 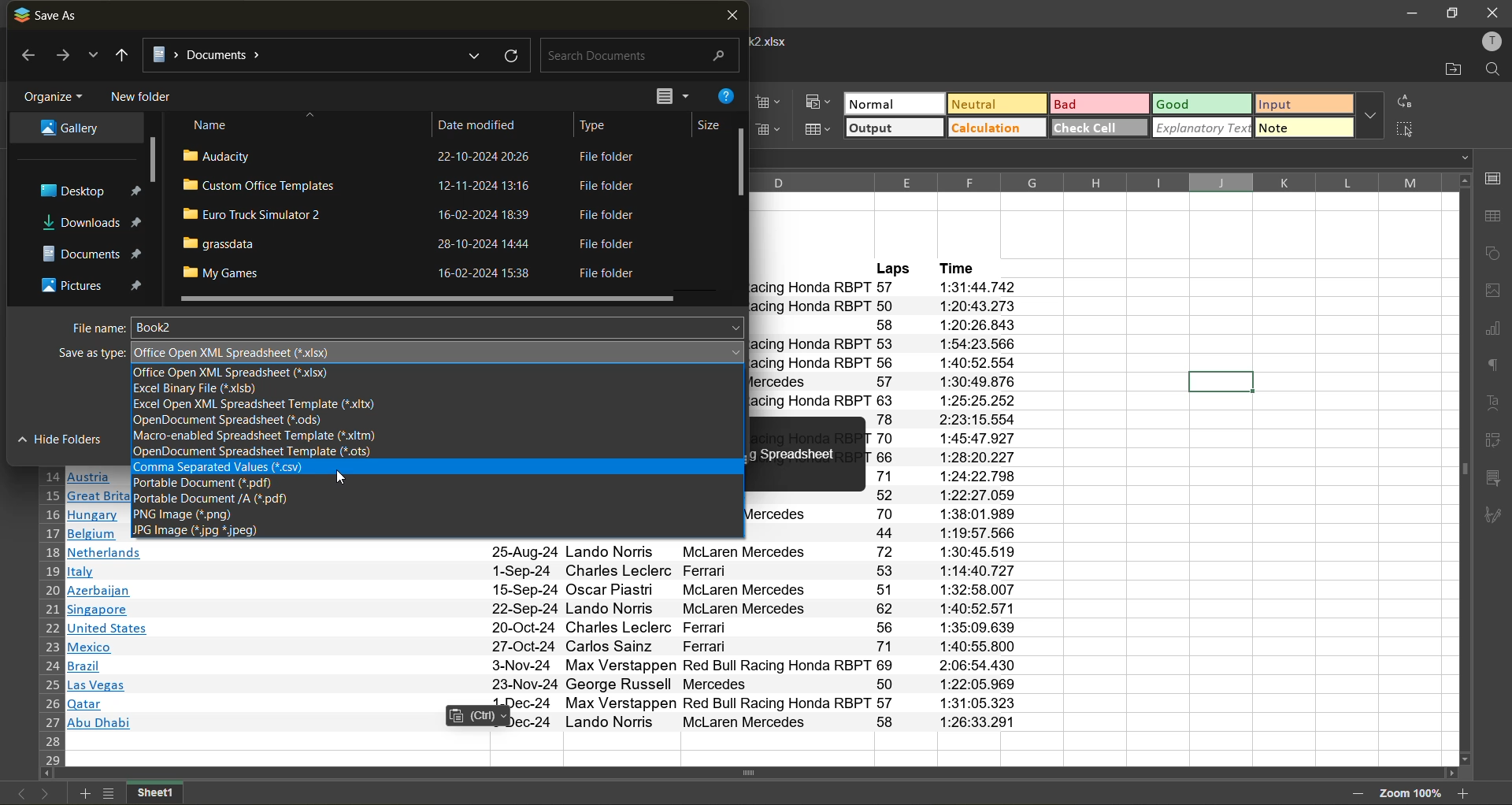 What do you see at coordinates (549, 647) in the screenshot?
I see `text info` at bounding box center [549, 647].